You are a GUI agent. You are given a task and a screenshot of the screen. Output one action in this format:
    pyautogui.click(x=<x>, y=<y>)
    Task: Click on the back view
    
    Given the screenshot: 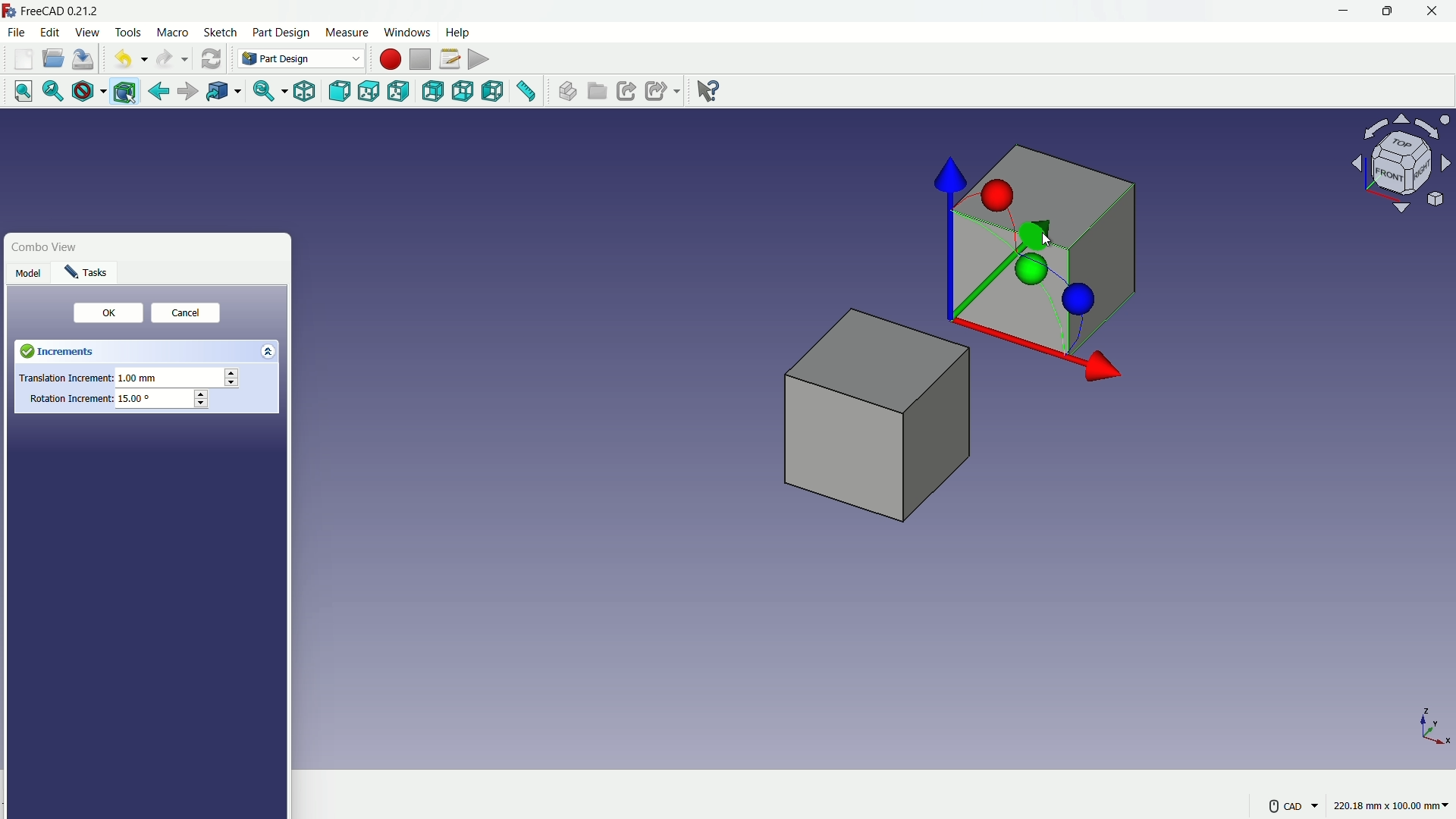 What is the action you would take?
    pyautogui.click(x=435, y=93)
    